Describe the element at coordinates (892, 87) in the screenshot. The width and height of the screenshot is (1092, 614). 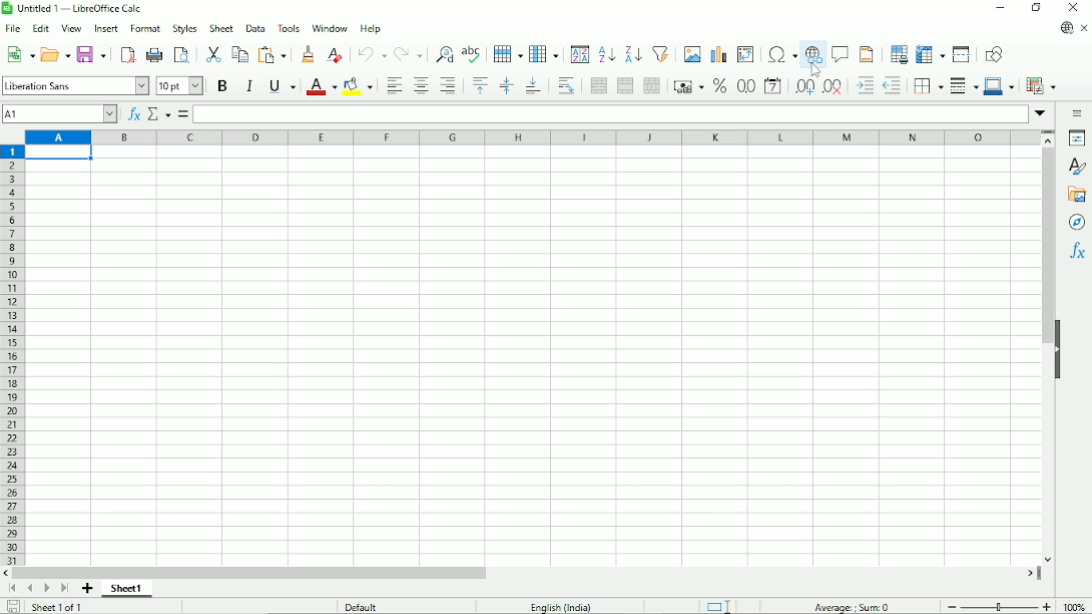
I see `Decrease indent` at that location.